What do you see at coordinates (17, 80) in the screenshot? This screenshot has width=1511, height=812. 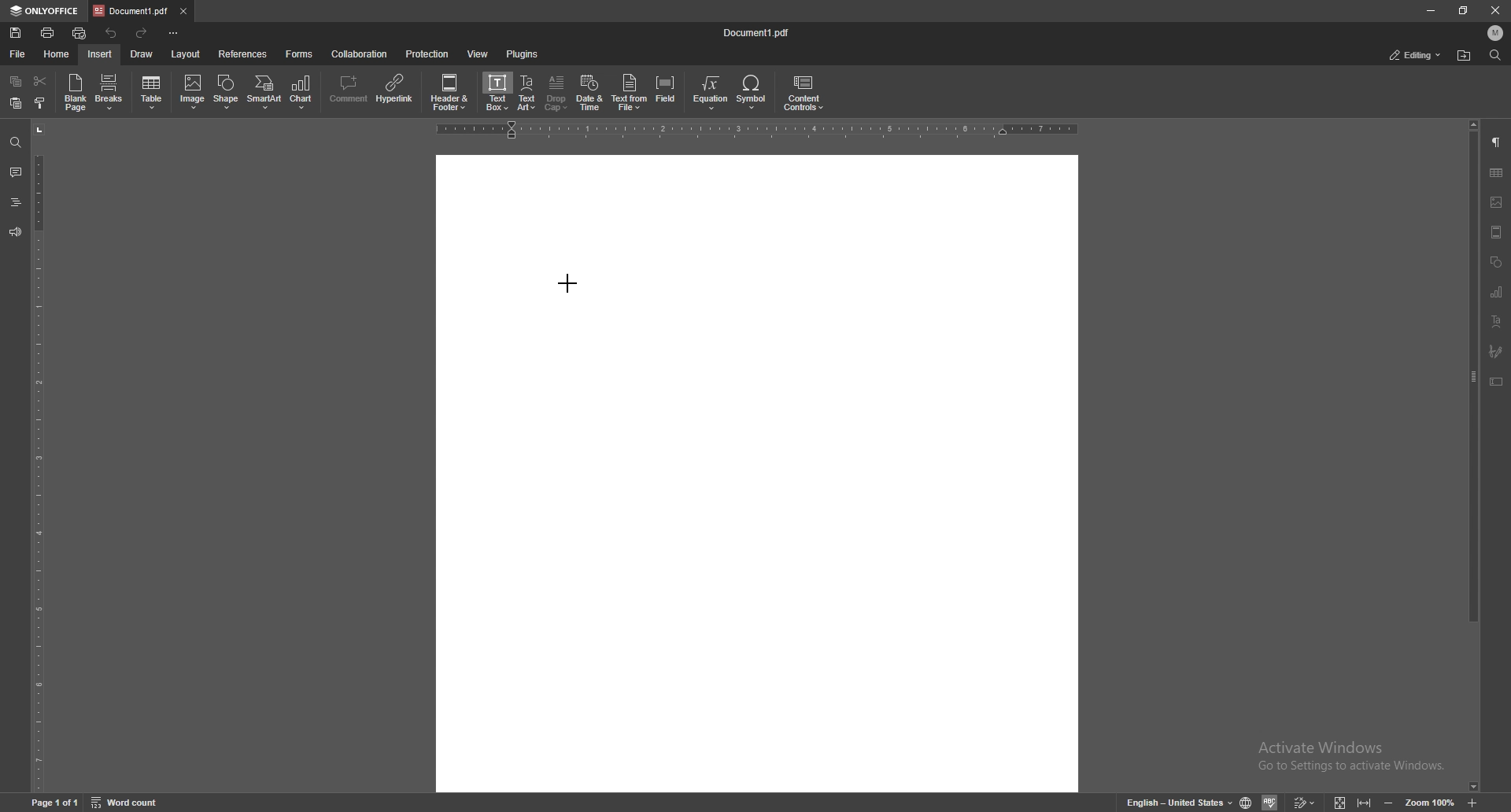 I see `copy` at bounding box center [17, 80].